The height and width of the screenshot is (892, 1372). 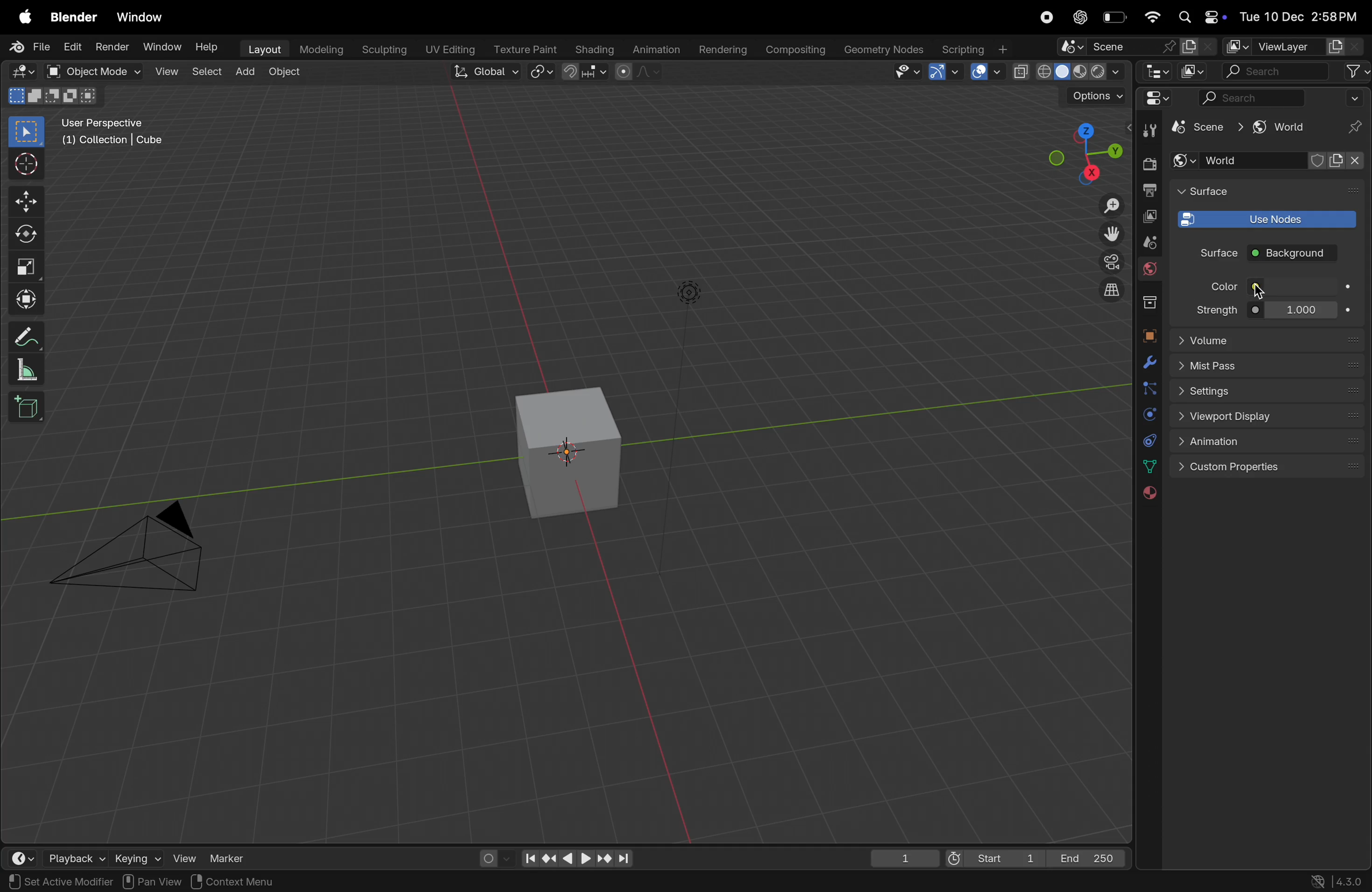 I want to click on date and time, so click(x=1303, y=17).